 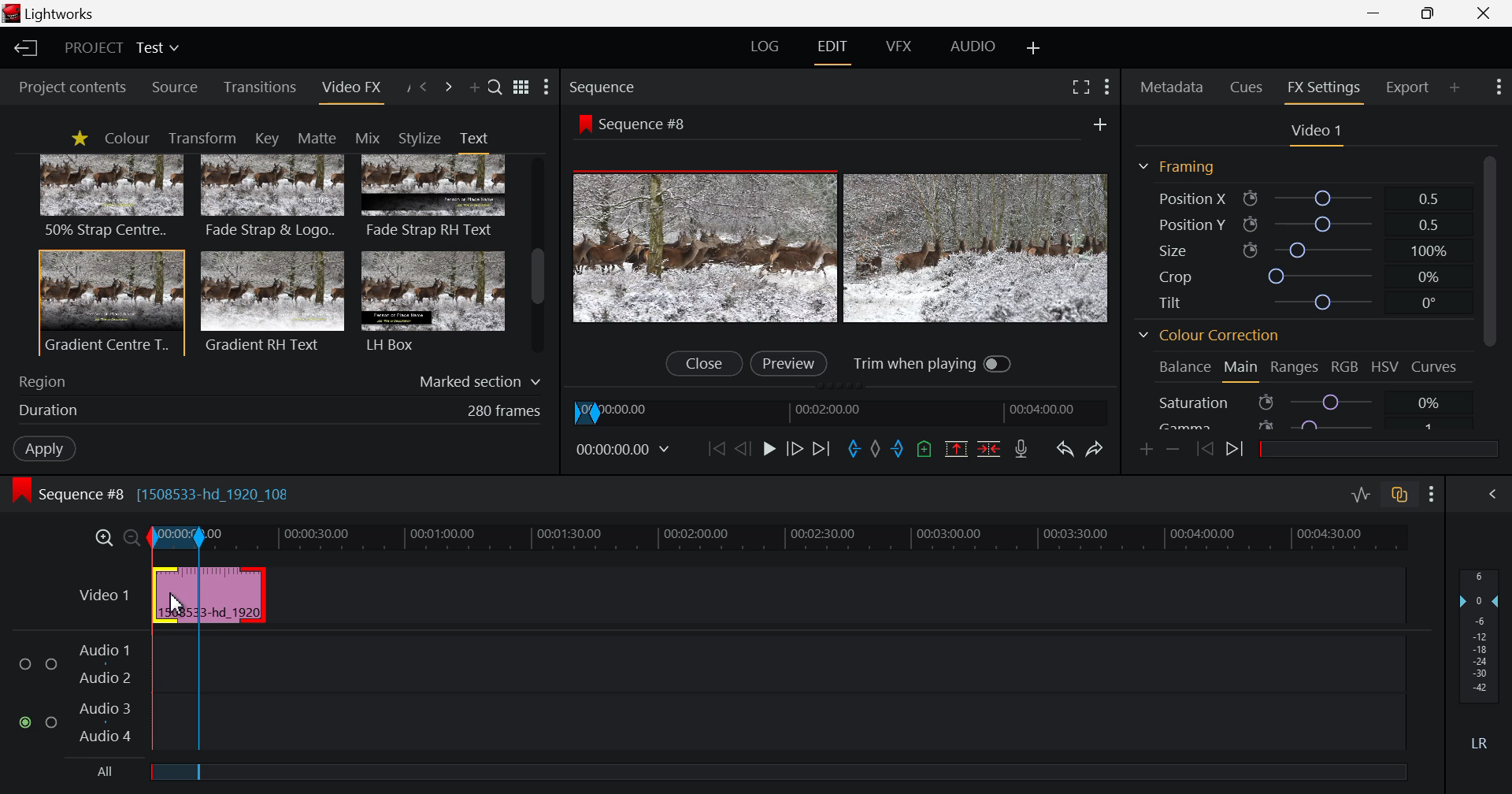 I want to click on LOG Layout, so click(x=767, y=49).